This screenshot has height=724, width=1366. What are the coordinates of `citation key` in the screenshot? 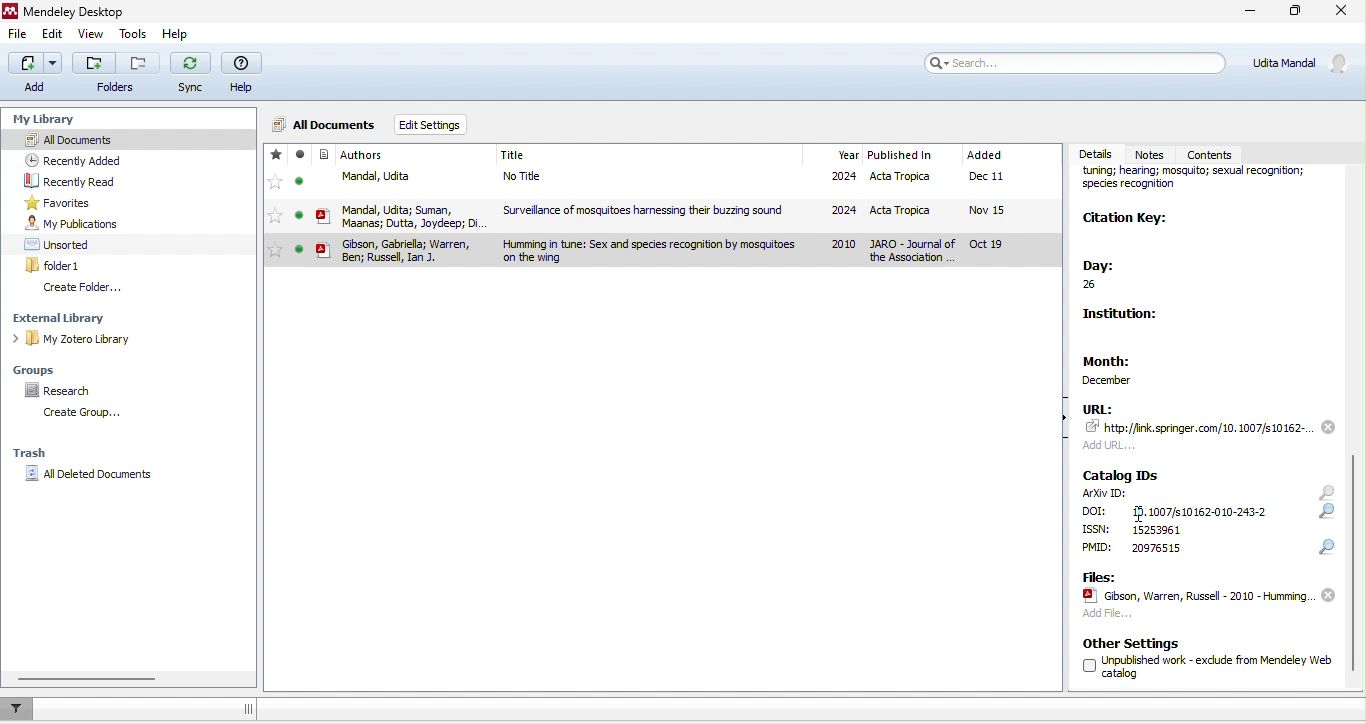 It's located at (1127, 220).